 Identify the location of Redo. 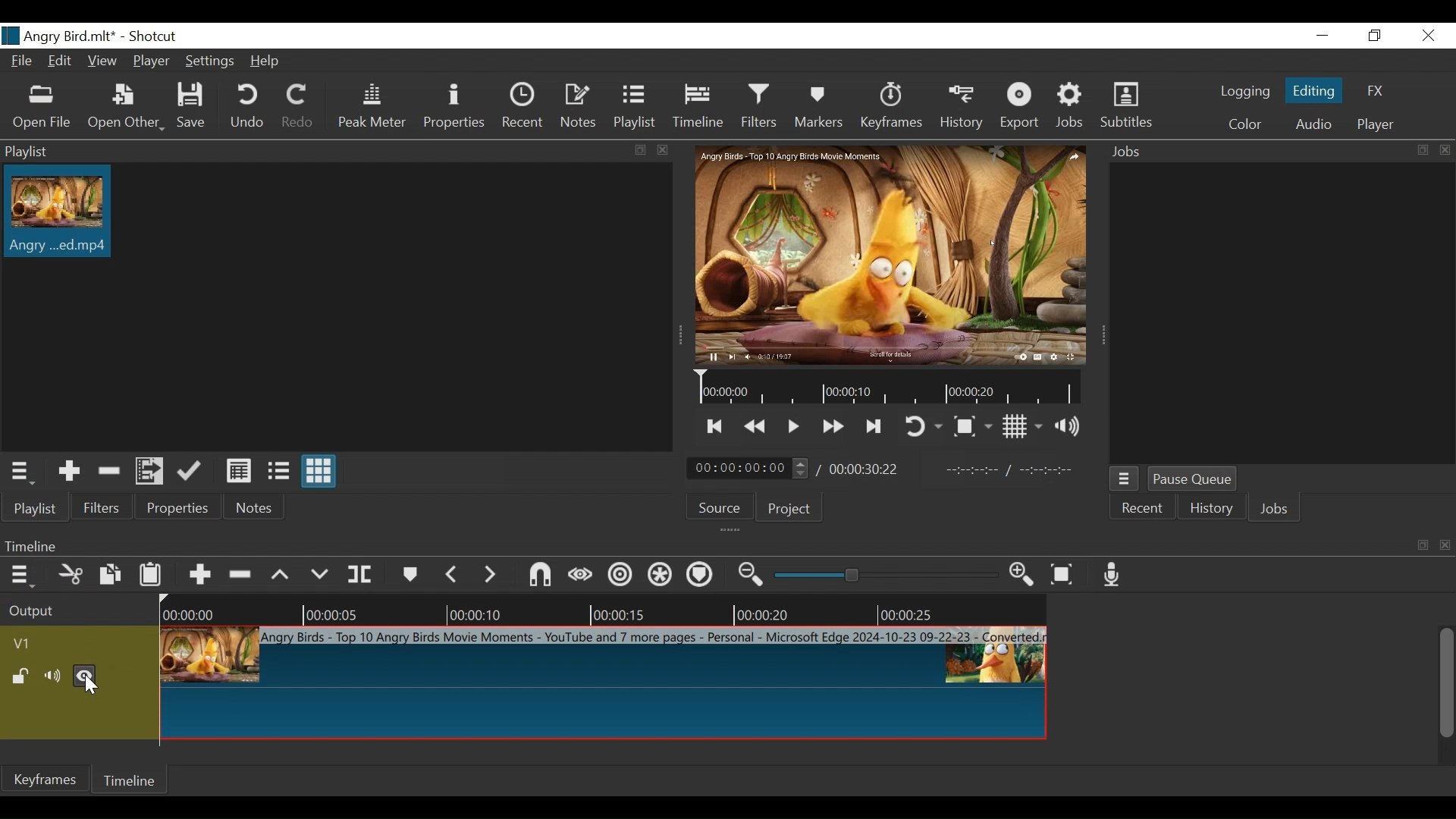
(300, 106).